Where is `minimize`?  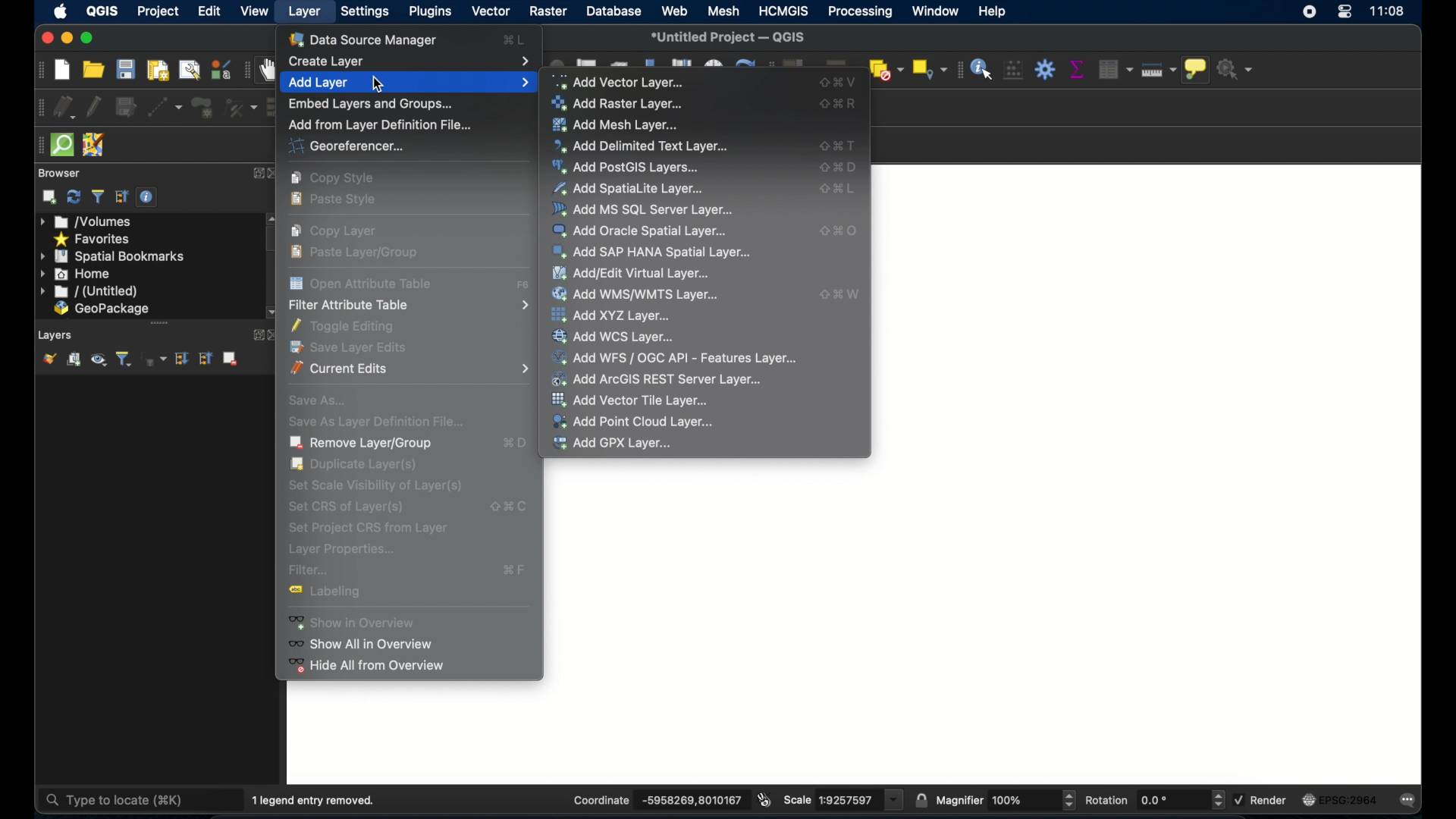 minimize is located at coordinates (66, 38).